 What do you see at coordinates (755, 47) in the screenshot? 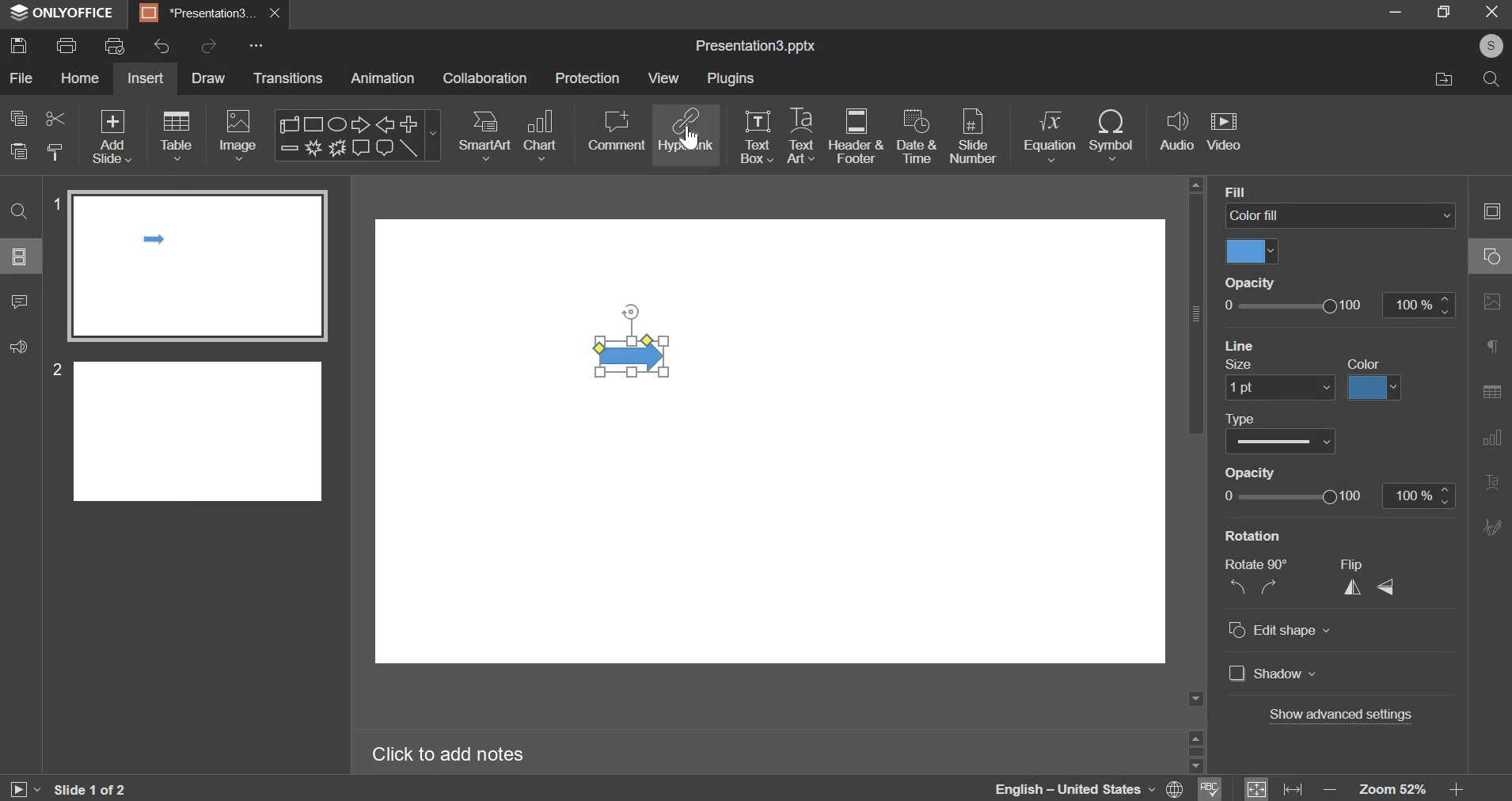
I see `presentation name` at bounding box center [755, 47].